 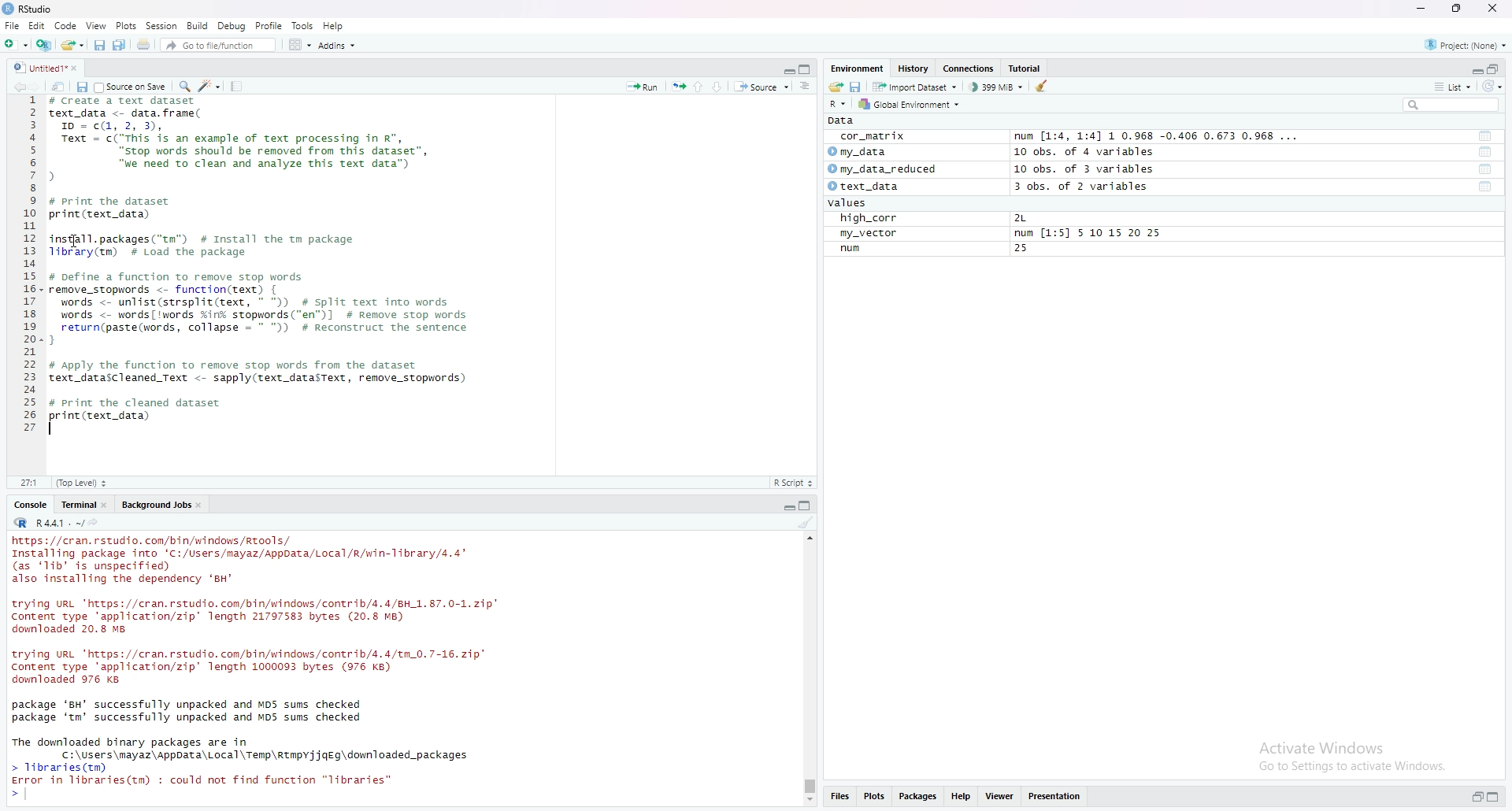 I want to click on 10 obs. of 3 variables, so click(x=1088, y=168).